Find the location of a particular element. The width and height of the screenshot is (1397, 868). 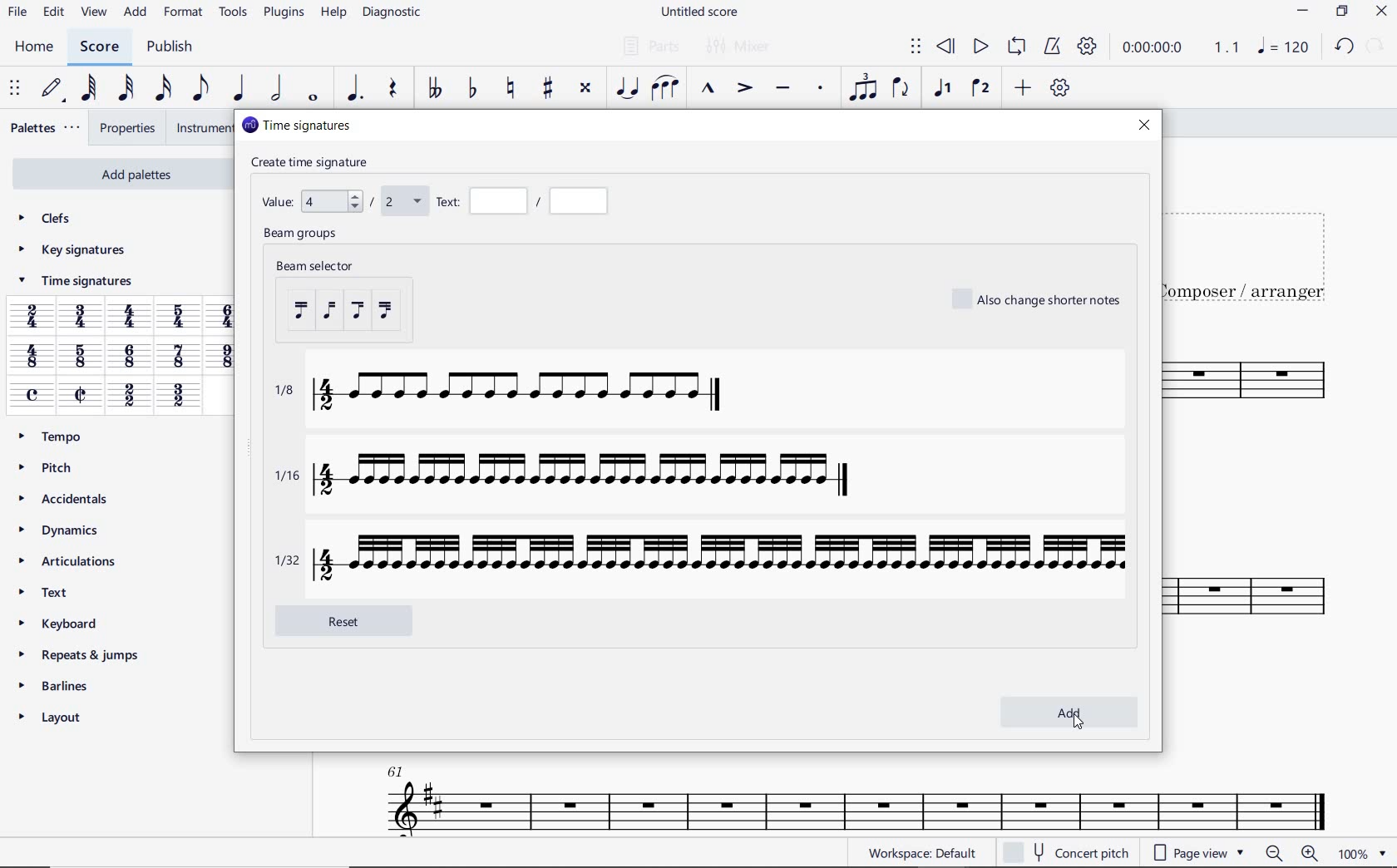

REPEATS & JUMPS is located at coordinates (81, 651).